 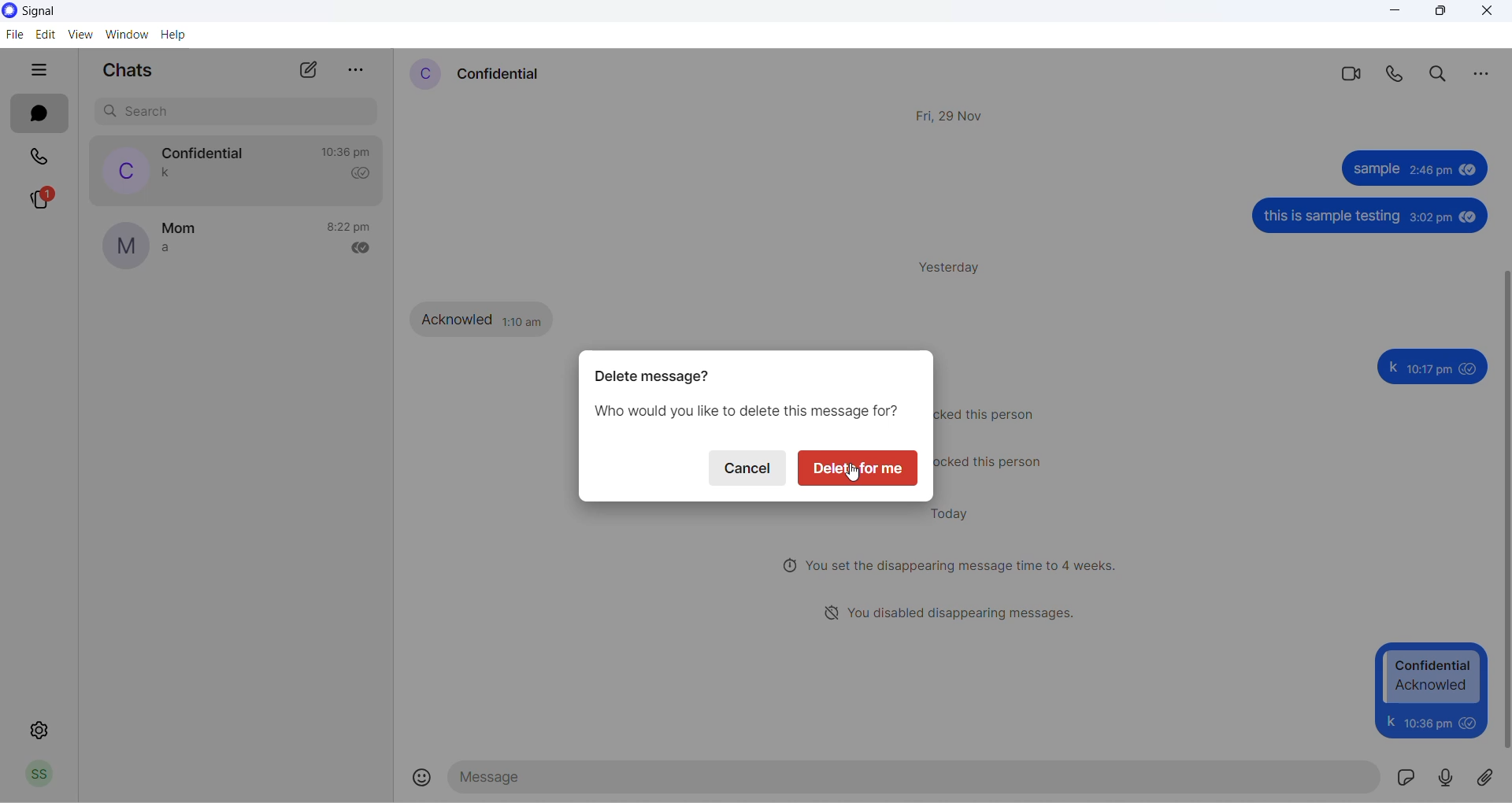 I want to click on settings, so click(x=42, y=727).